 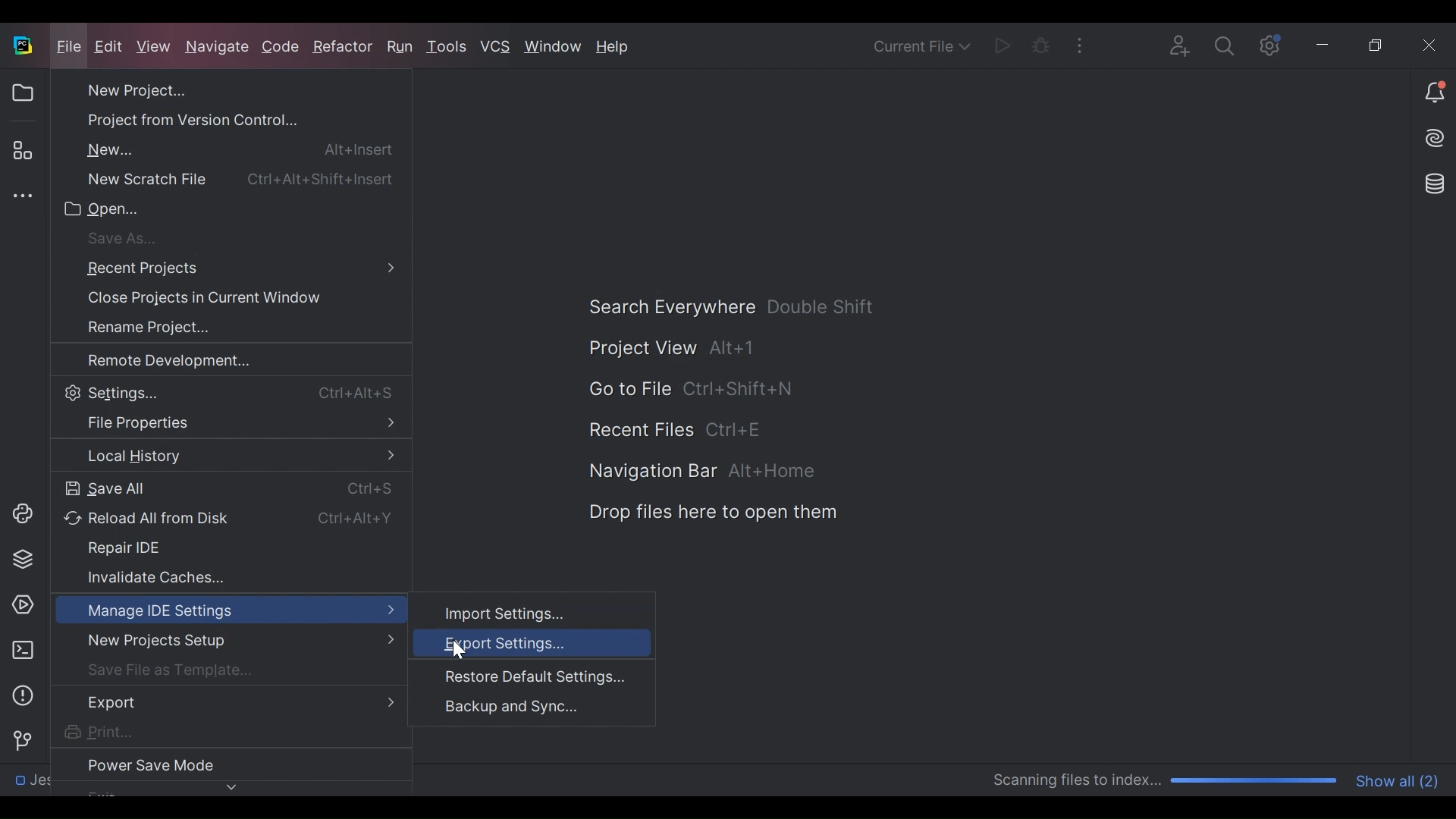 What do you see at coordinates (22, 93) in the screenshot?
I see `Project View` at bounding box center [22, 93].